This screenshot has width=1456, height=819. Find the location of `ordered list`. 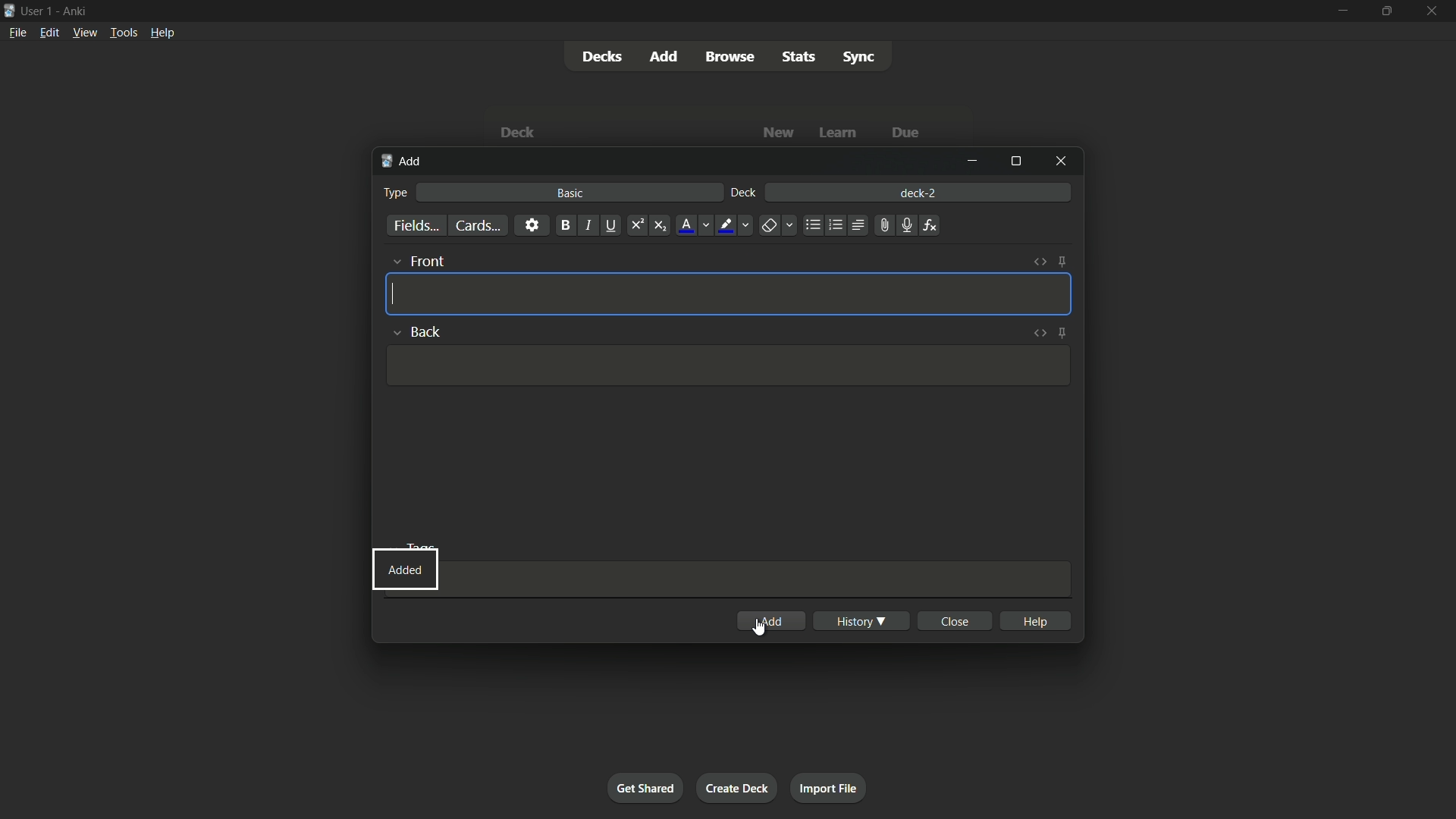

ordered list is located at coordinates (835, 224).